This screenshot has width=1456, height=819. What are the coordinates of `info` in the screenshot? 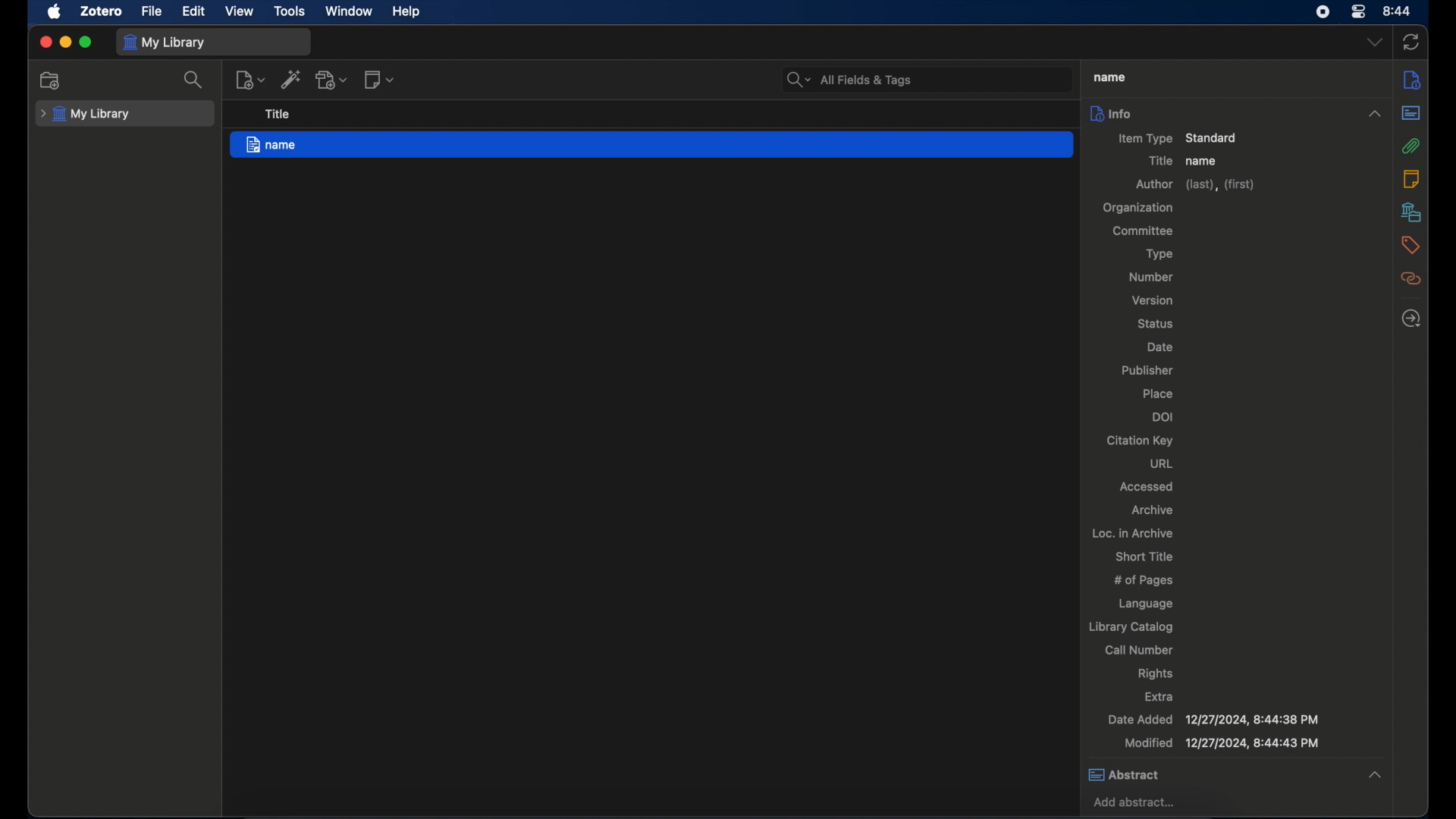 It's located at (1412, 81).